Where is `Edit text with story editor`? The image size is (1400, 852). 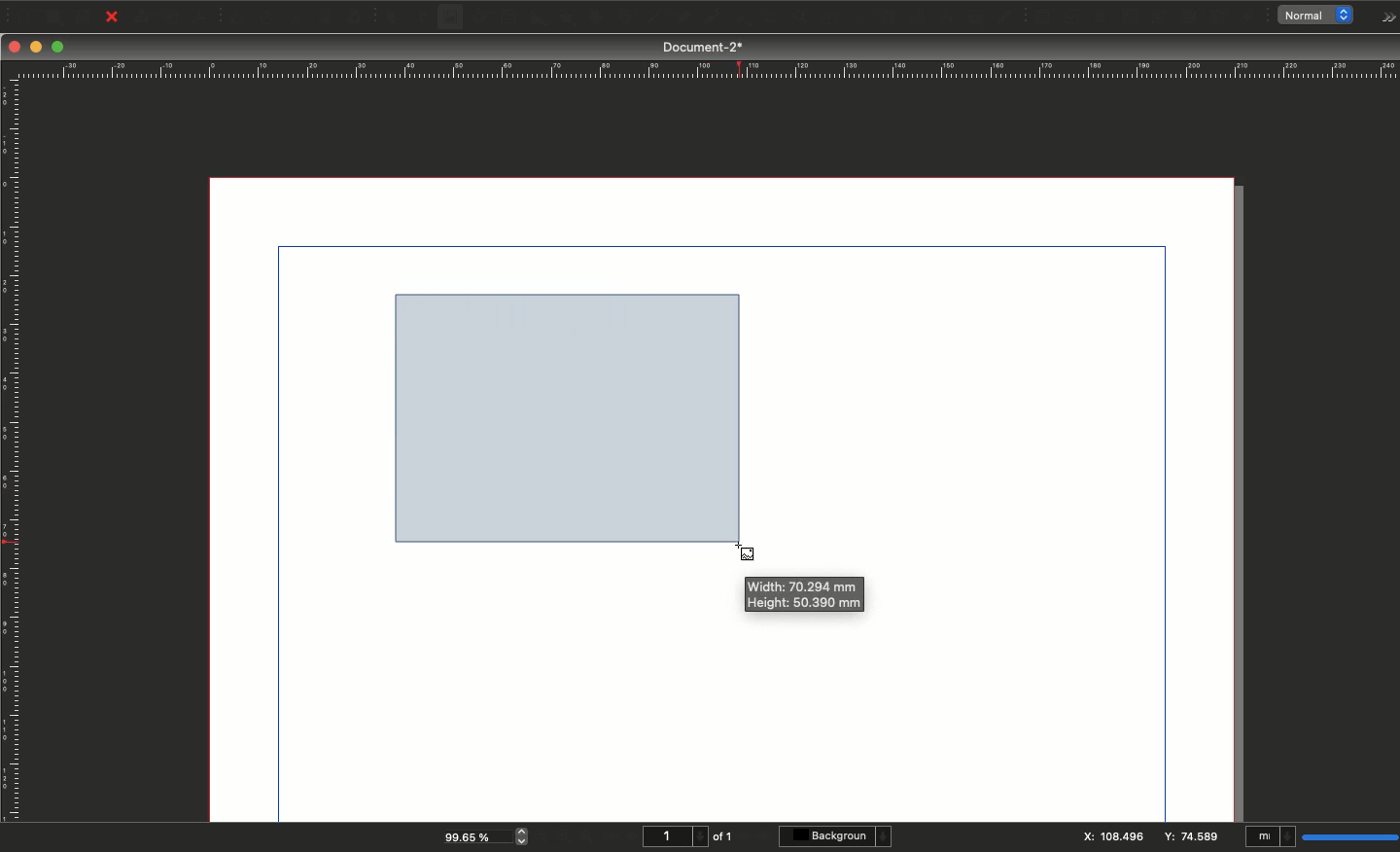
Edit text with story editor is located at coordinates (841, 18).